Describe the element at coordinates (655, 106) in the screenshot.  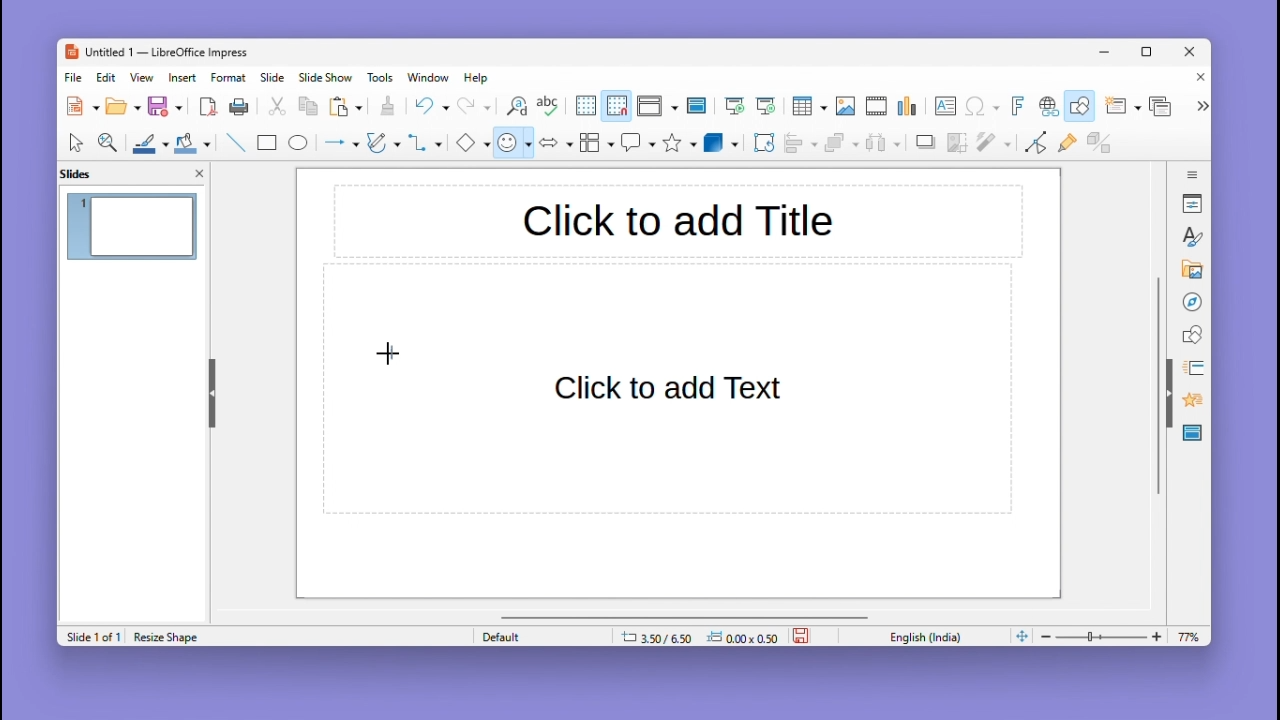
I see `Display views` at that location.